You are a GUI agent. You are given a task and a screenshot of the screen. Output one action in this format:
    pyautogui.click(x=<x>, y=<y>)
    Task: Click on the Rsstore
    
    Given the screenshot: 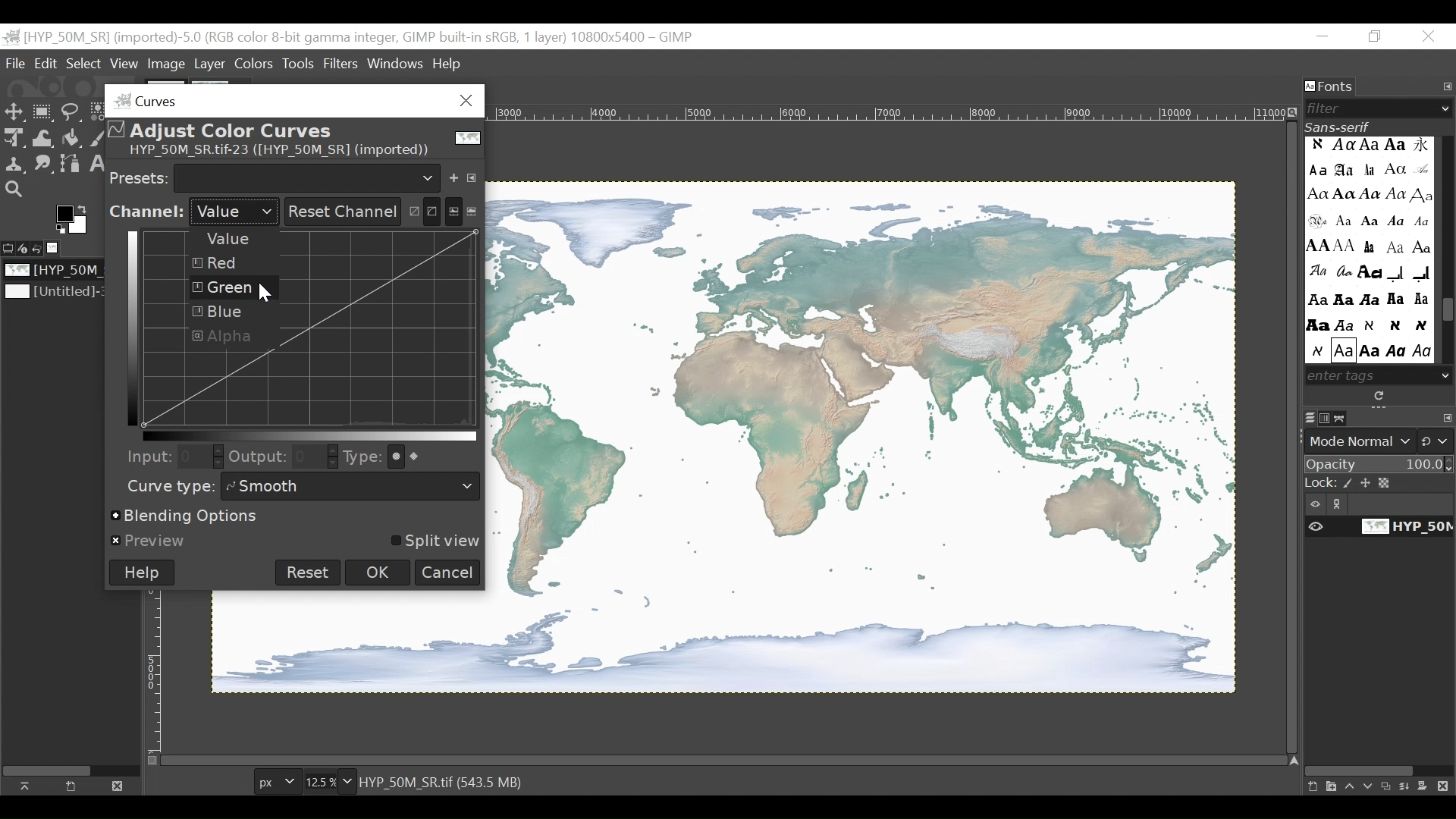 What is the action you would take?
    pyautogui.click(x=1375, y=37)
    